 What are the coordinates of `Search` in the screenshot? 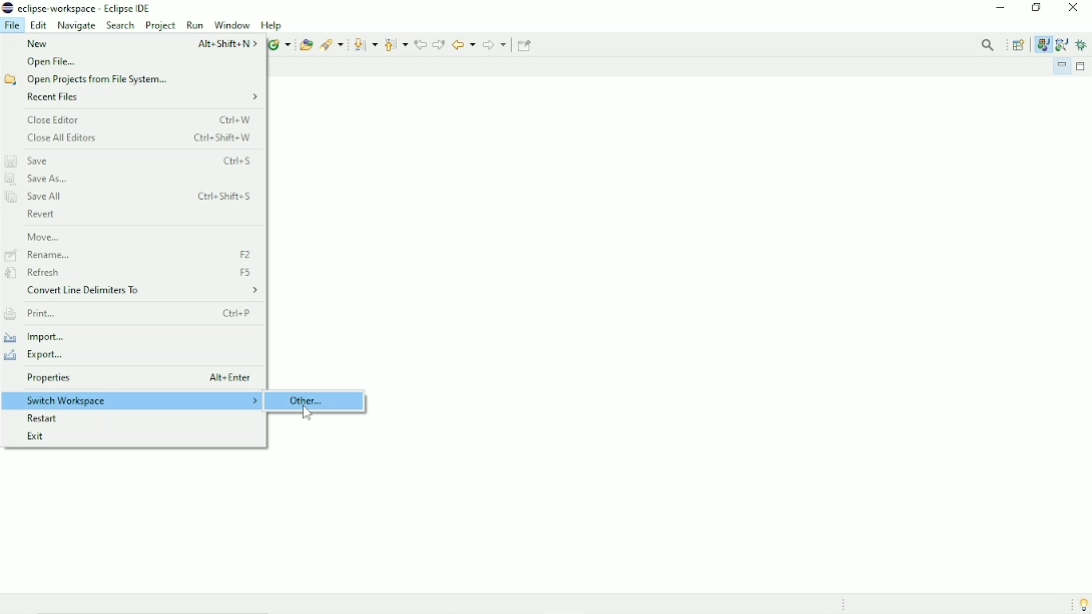 It's located at (120, 26).